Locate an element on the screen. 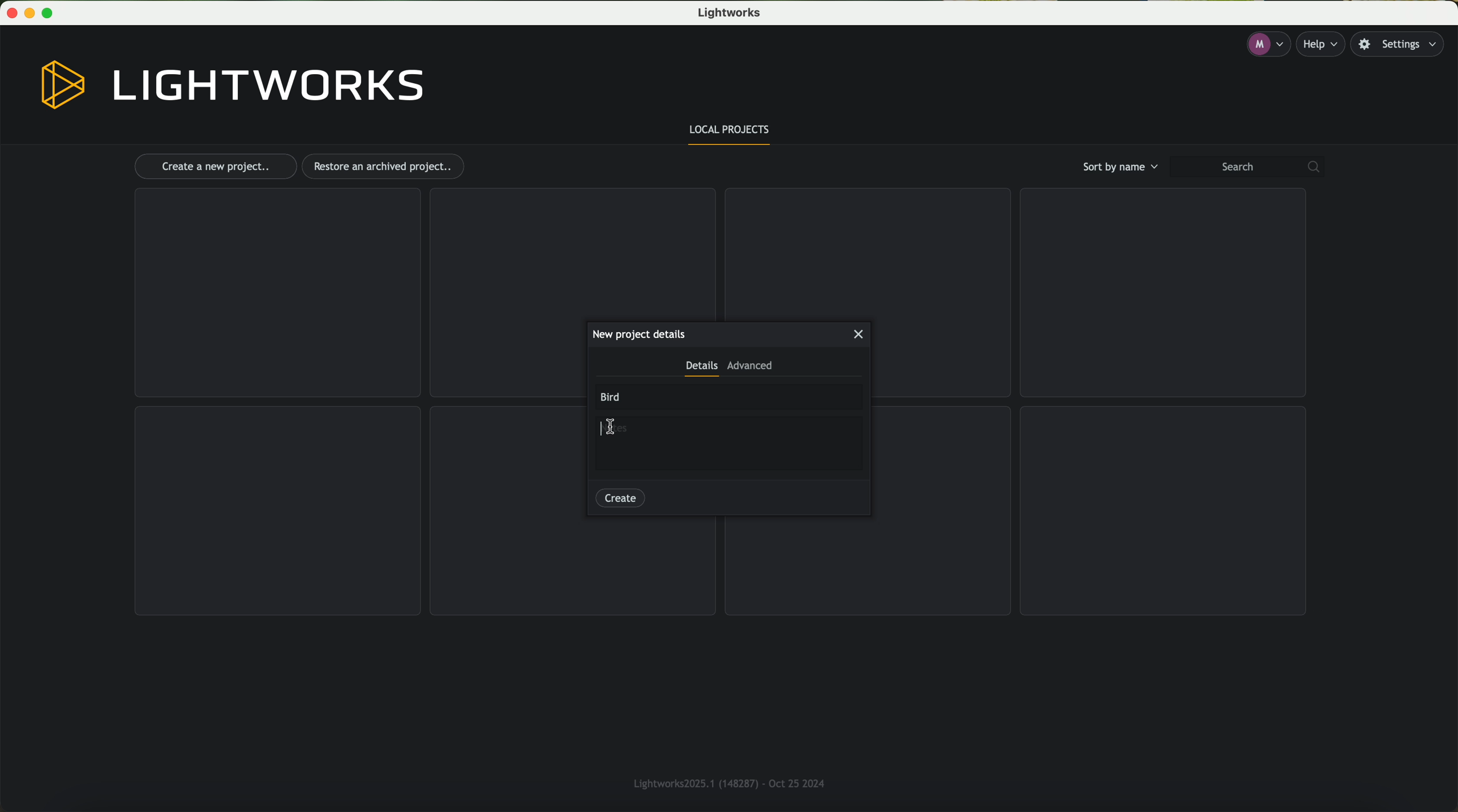 This screenshot has height=812, width=1458. grid is located at coordinates (571, 252).